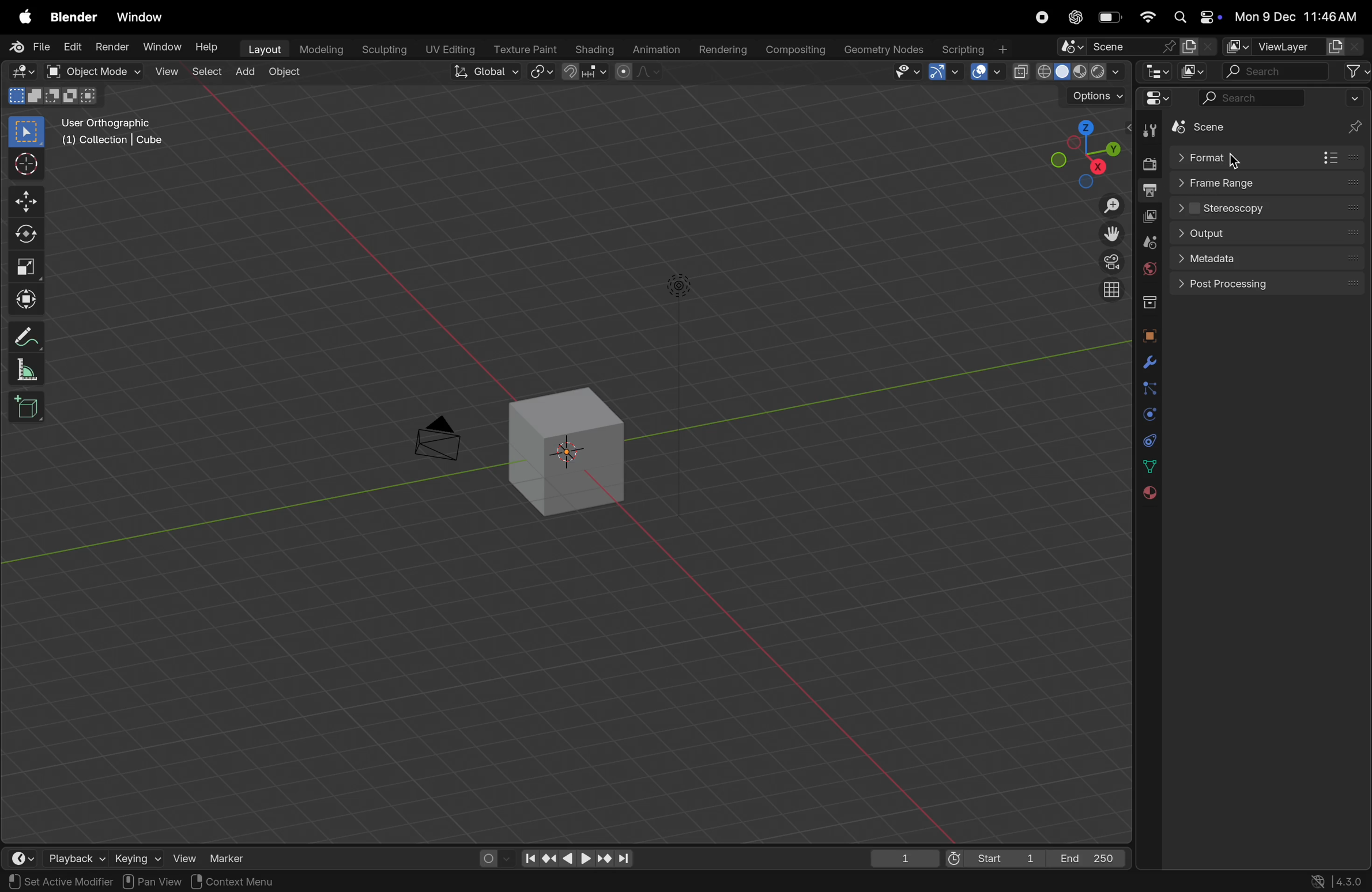  I want to click on select box, so click(26, 133).